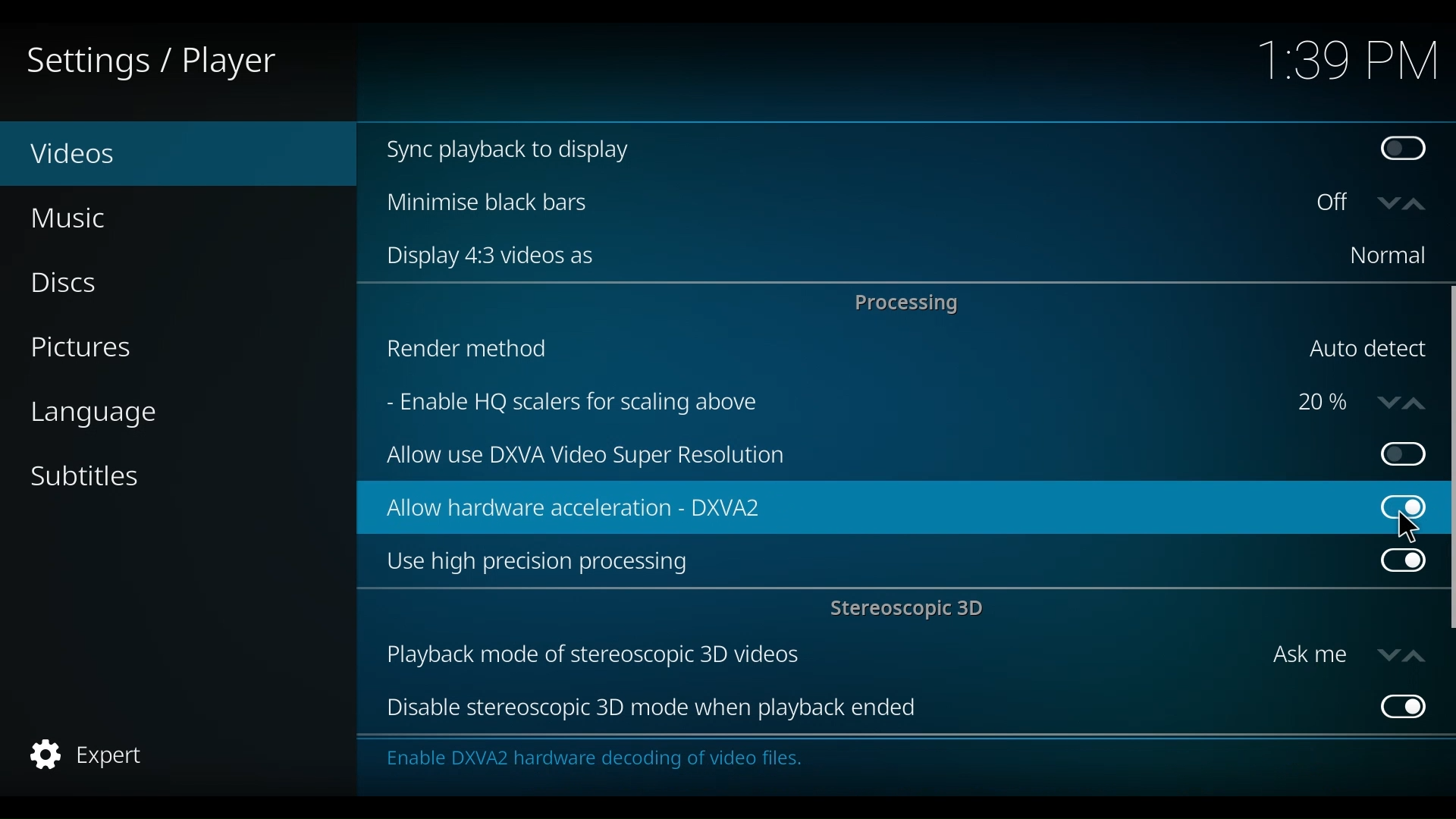  What do you see at coordinates (1366, 350) in the screenshot?
I see `Auto detect` at bounding box center [1366, 350].